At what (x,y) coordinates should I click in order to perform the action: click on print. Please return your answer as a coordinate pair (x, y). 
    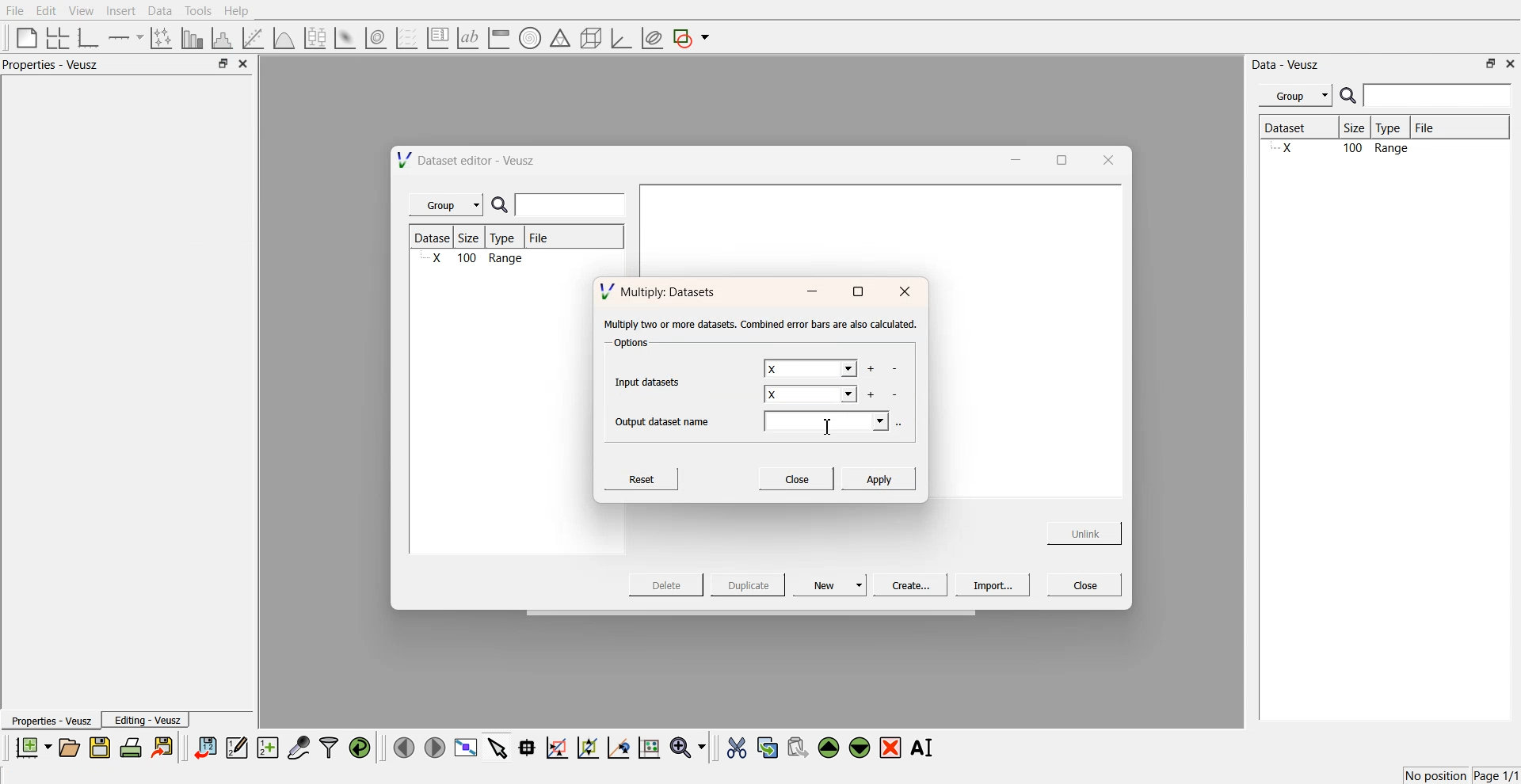
    Looking at the image, I should click on (135, 747).